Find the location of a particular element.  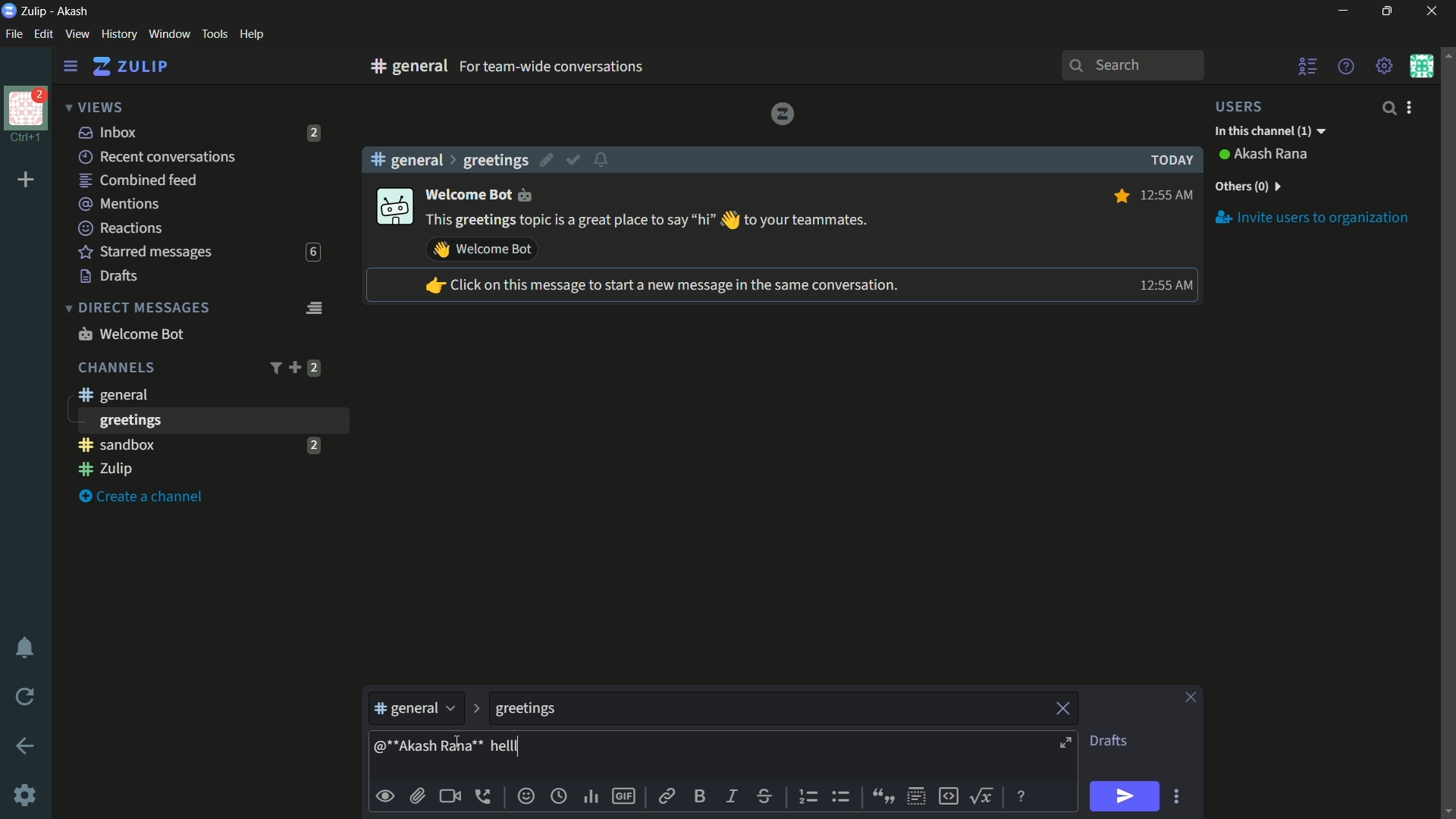

helll is located at coordinates (504, 746).